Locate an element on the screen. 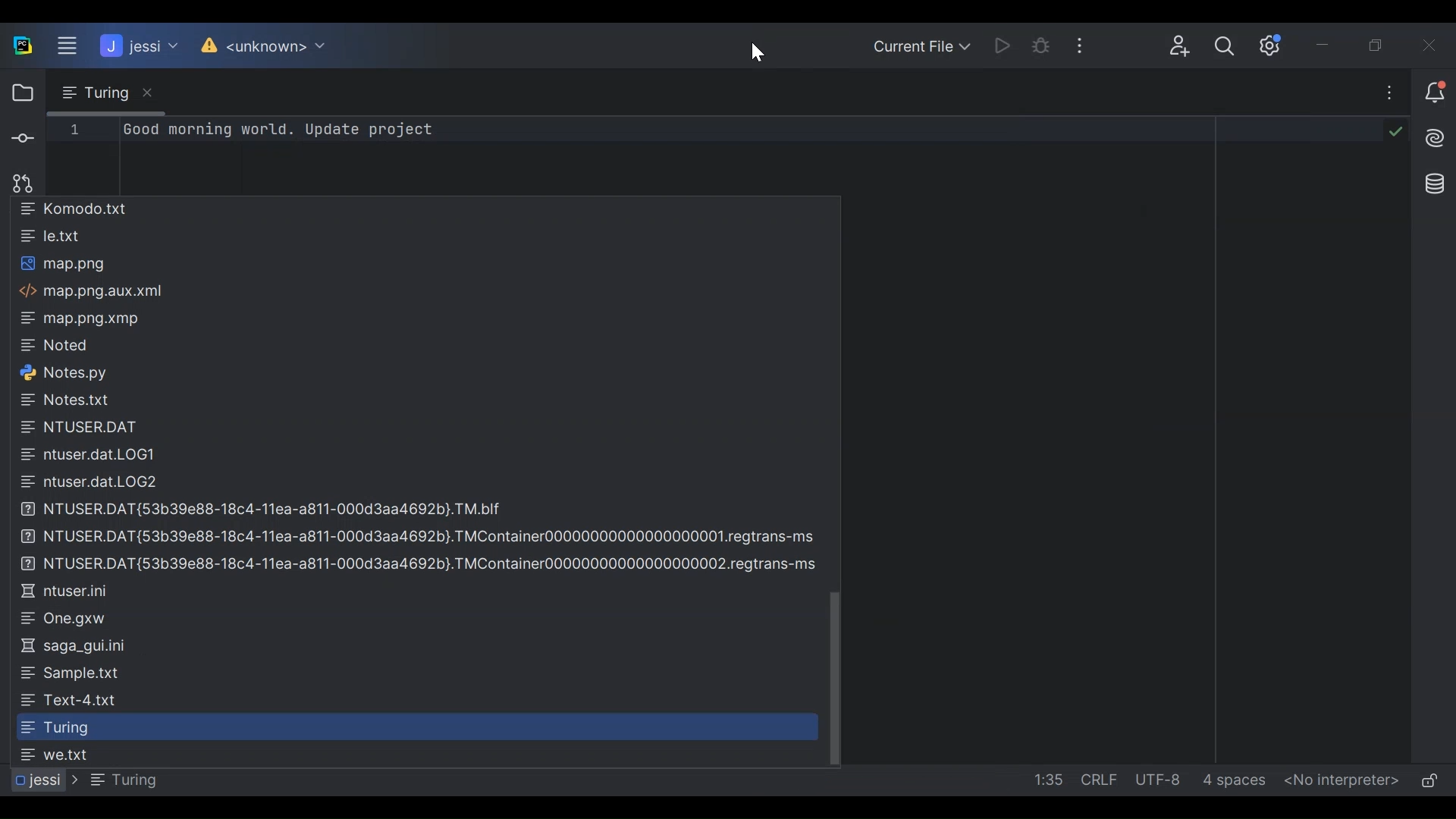 This screenshot has height=819, width=1456. Run is located at coordinates (1007, 45).